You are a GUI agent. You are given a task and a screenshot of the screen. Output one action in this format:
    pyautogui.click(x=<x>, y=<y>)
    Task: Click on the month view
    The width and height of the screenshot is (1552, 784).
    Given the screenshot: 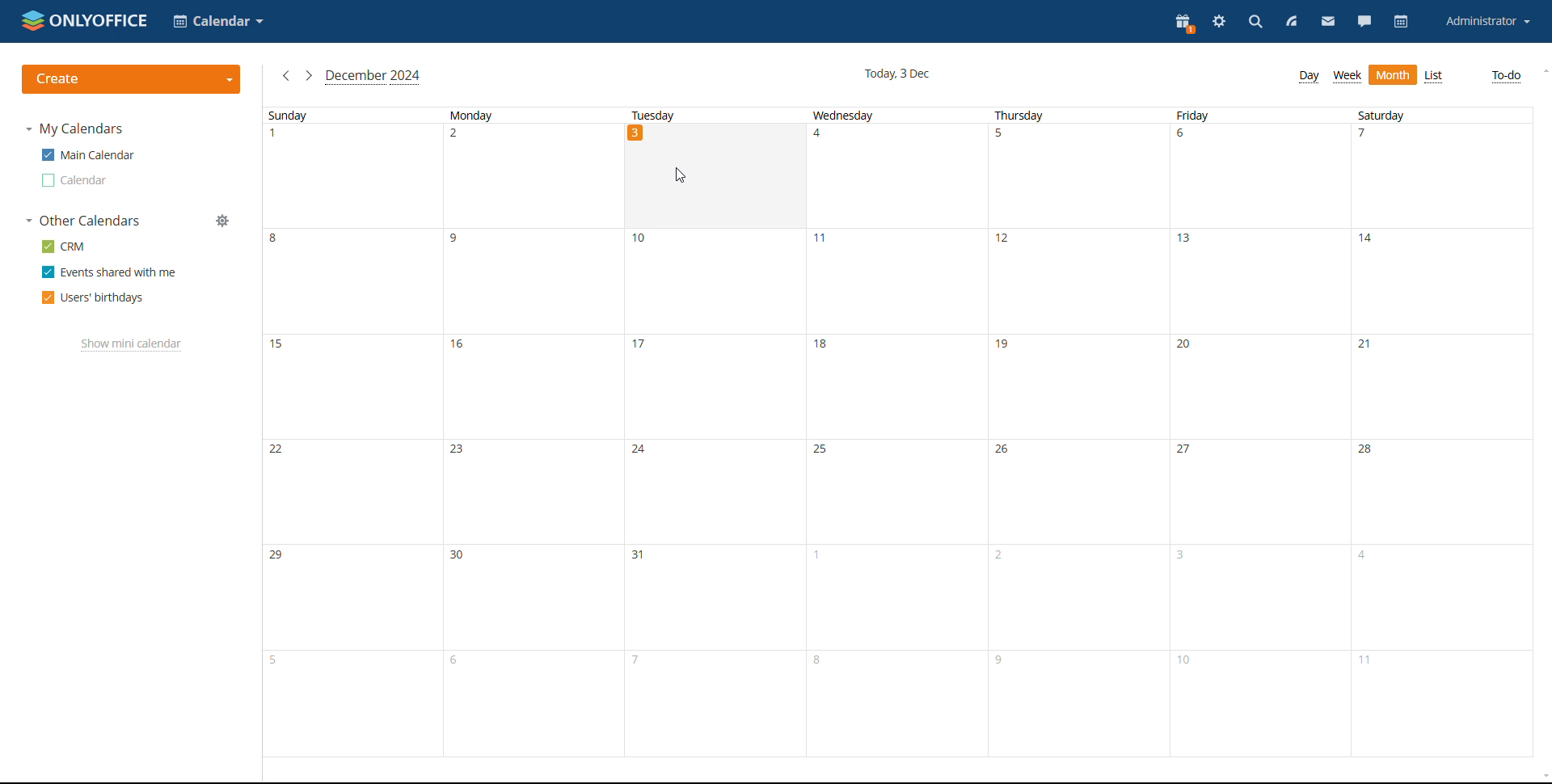 What is the action you would take?
    pyautogui.click(x=1394, y=75)
    